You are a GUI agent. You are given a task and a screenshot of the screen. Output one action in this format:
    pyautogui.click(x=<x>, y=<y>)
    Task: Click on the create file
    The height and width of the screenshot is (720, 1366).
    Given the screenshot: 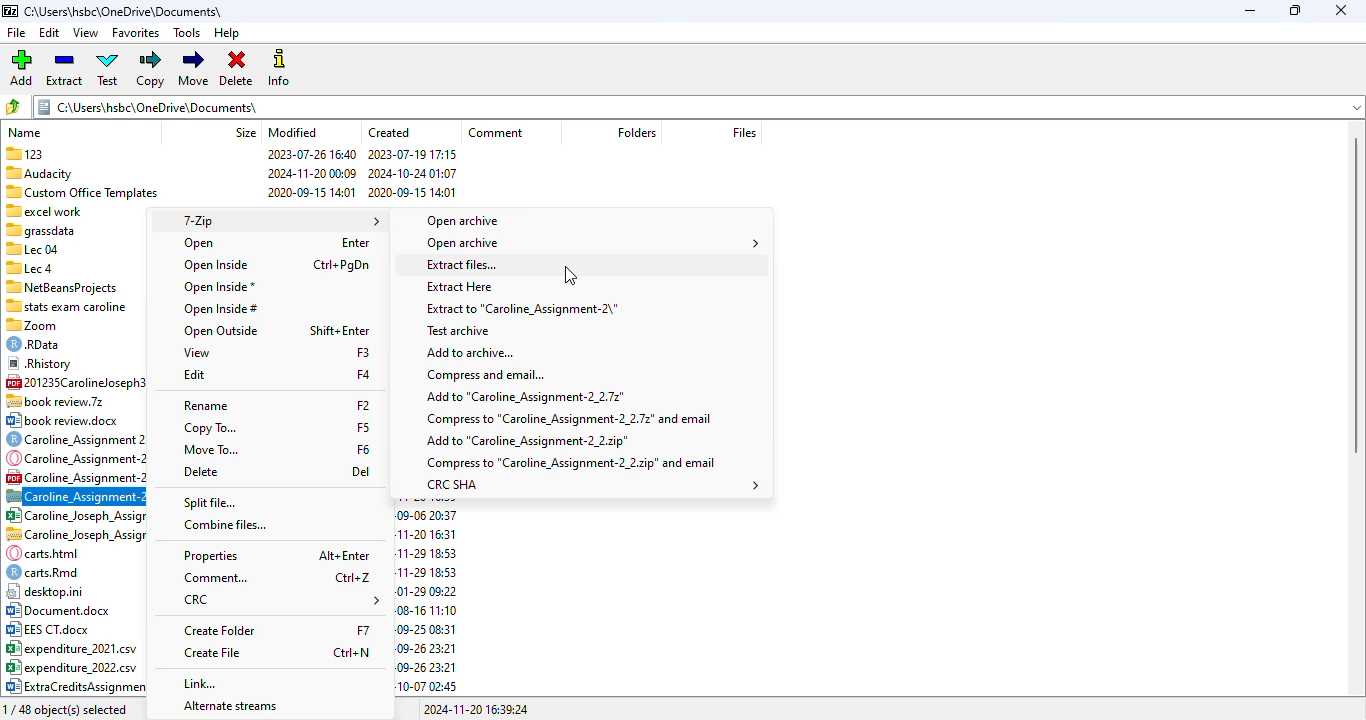 What is the action you would take?
    pyautogui.click(x=212, y=653)
    